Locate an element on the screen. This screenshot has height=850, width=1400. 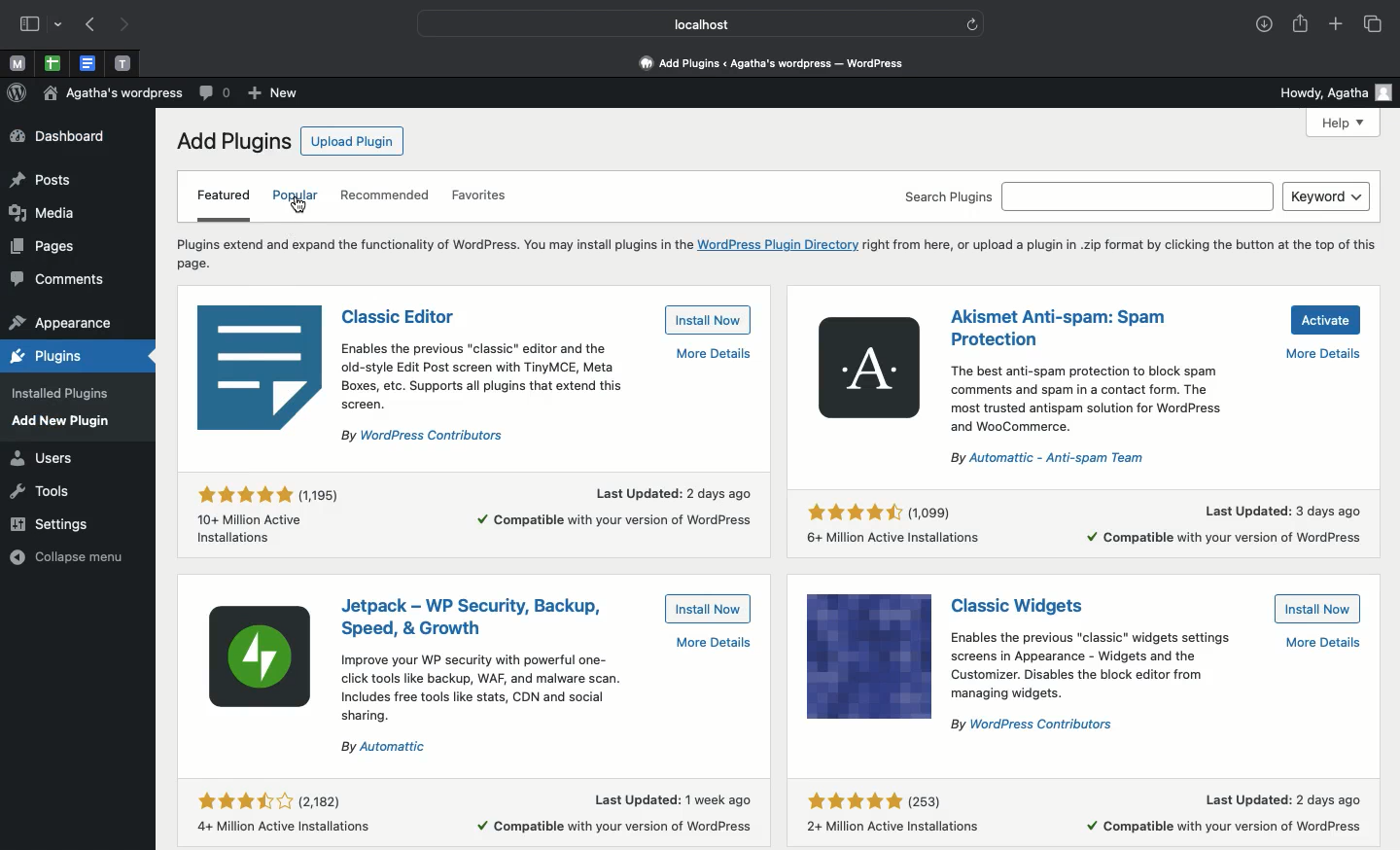
More details is located at coordinates (715, 352).